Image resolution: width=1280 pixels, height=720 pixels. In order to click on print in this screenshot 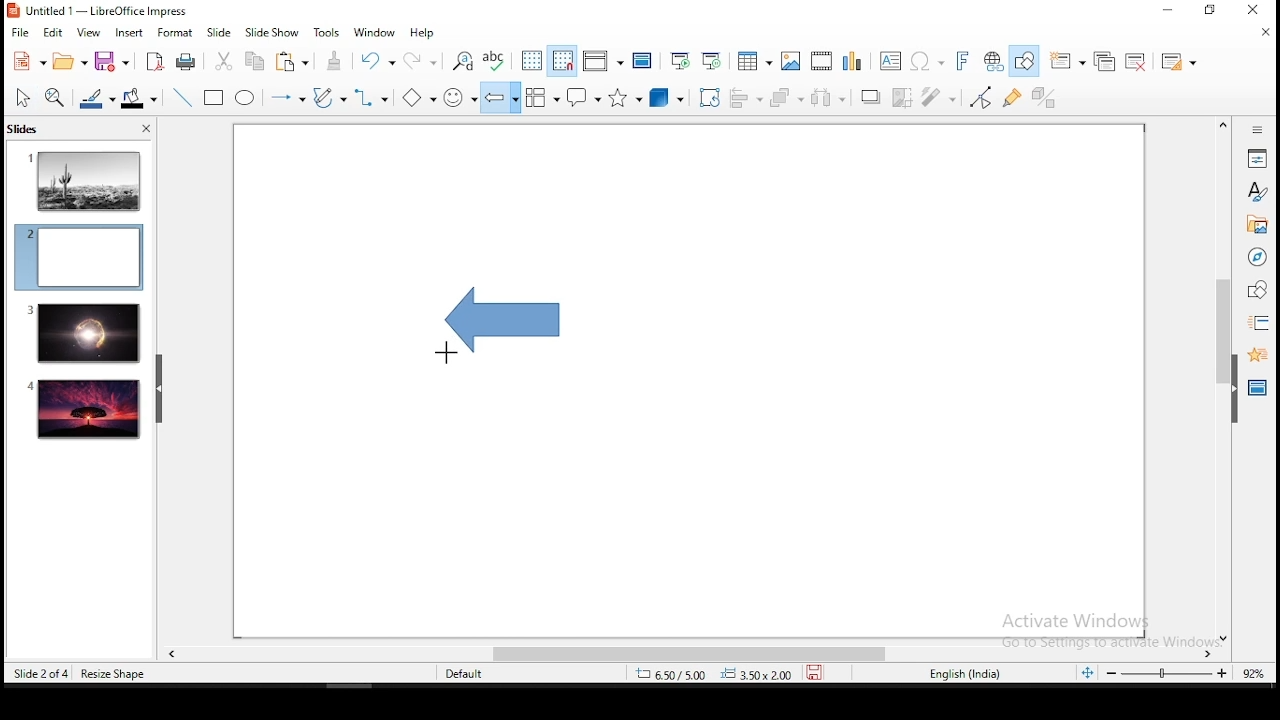, I will do `click(187, 61)`.